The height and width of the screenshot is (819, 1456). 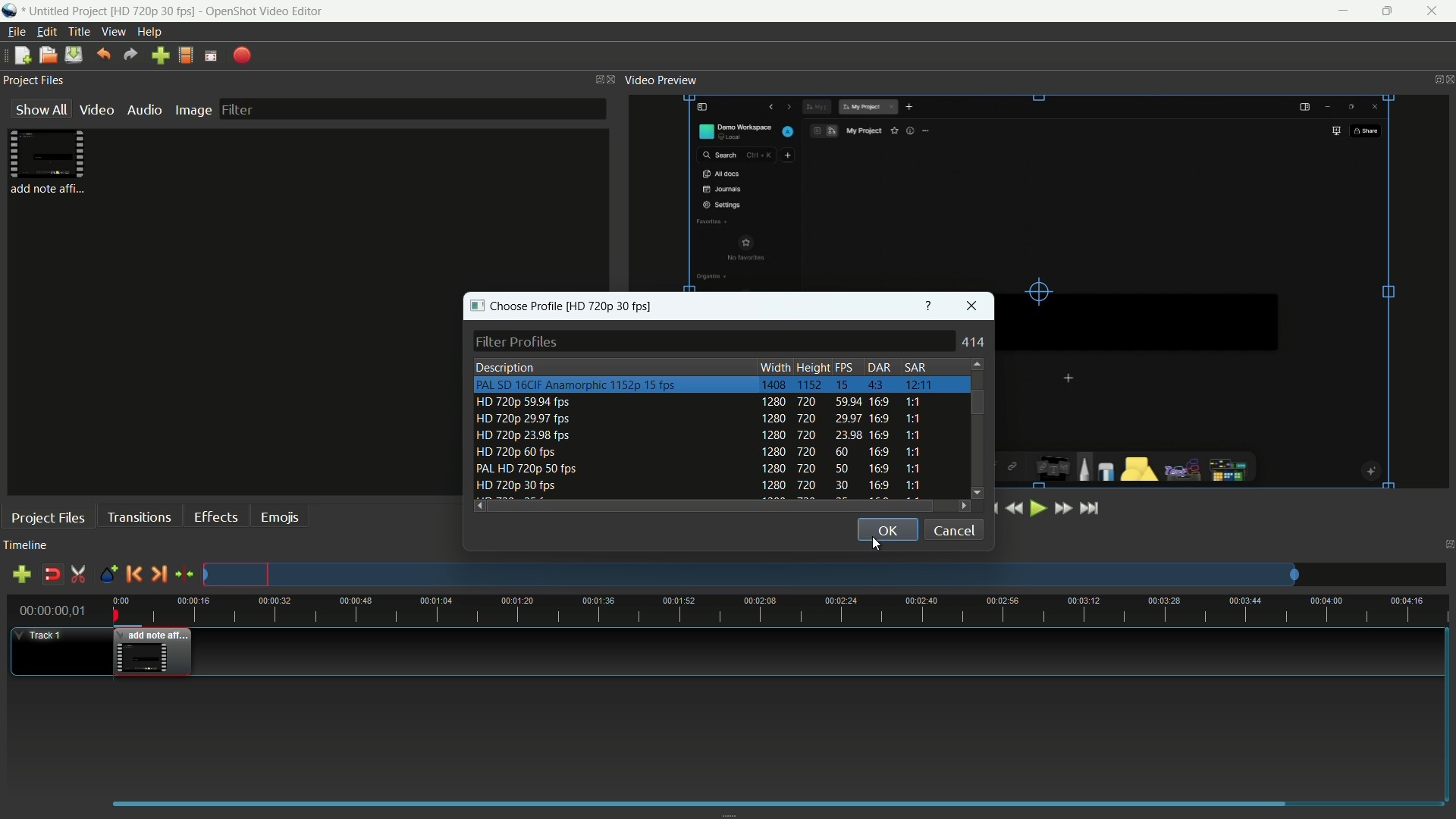 What do you see at coordinates (138, 518) in the screenshot?
I see `transitions` at bounding box center [138, 518].